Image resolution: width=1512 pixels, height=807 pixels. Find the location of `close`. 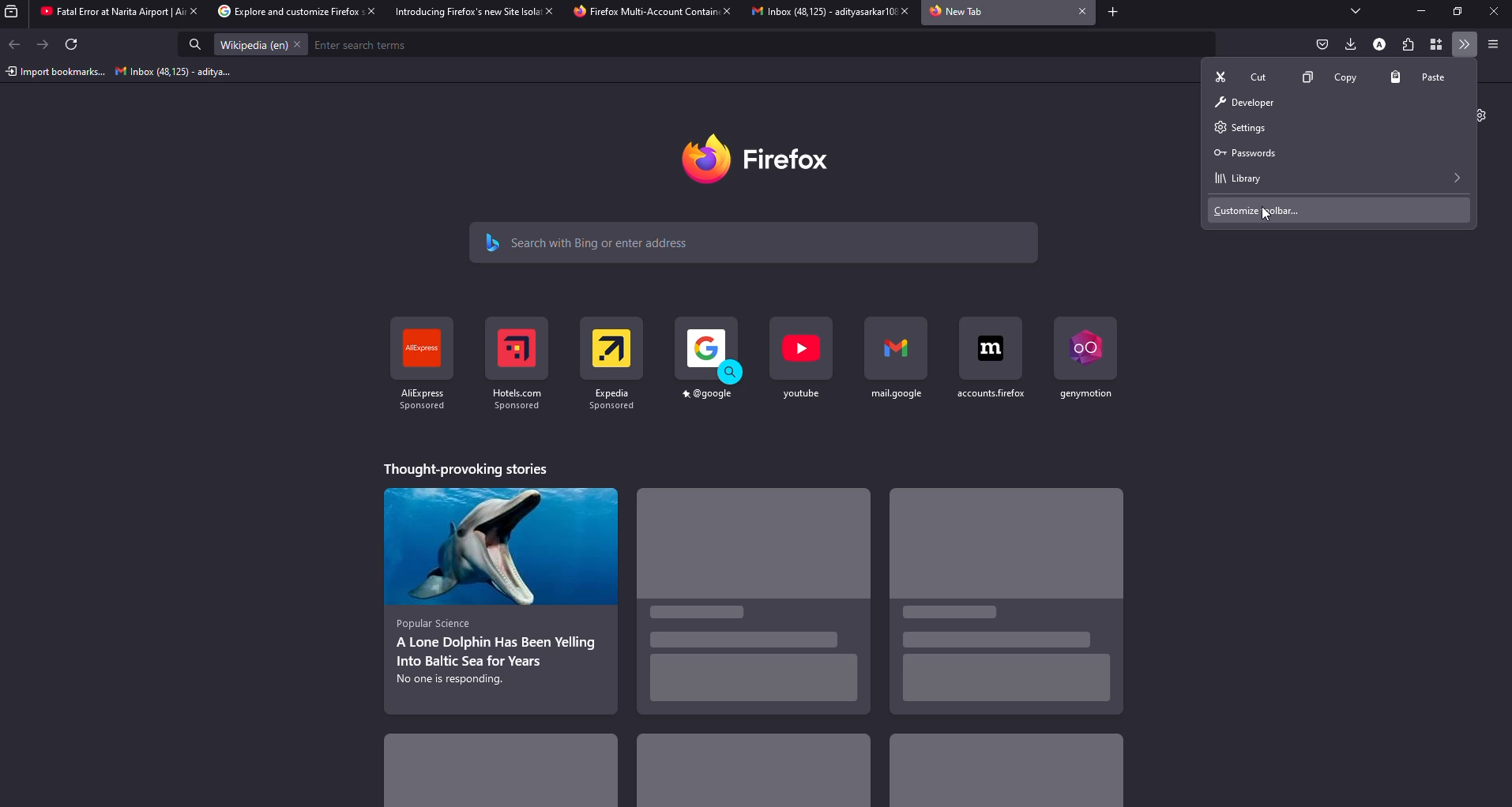

close is located at coordinates (1492, 12).